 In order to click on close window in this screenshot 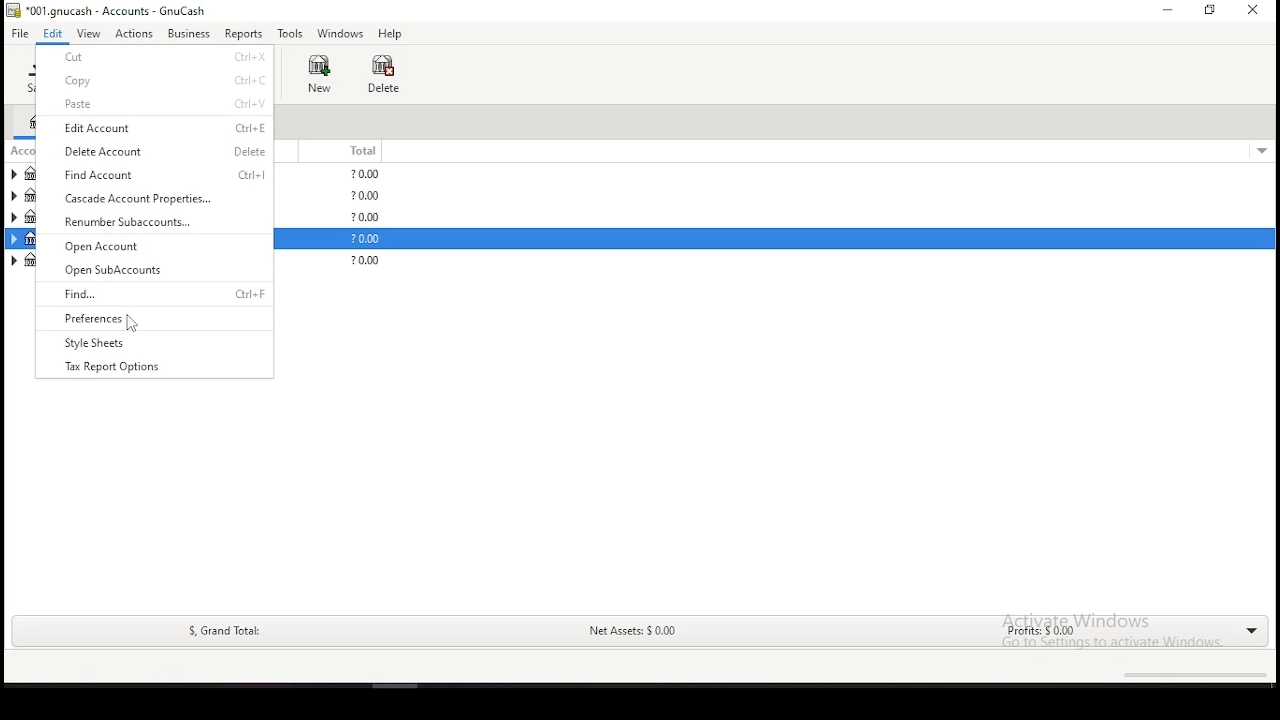, I will do `click(1254, 10)`.